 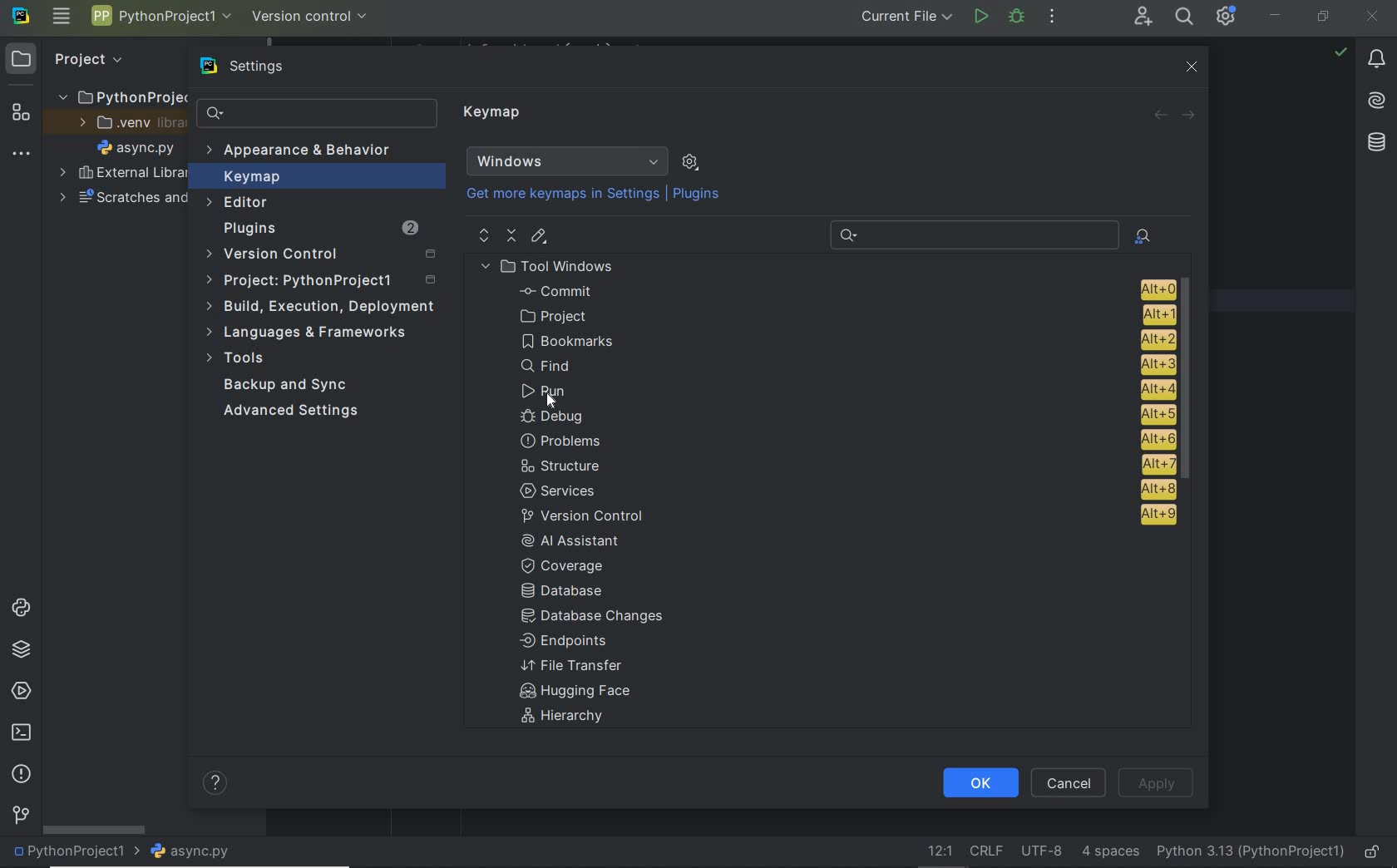 I want to click on make file ready only, so click(x=1372, y=853).